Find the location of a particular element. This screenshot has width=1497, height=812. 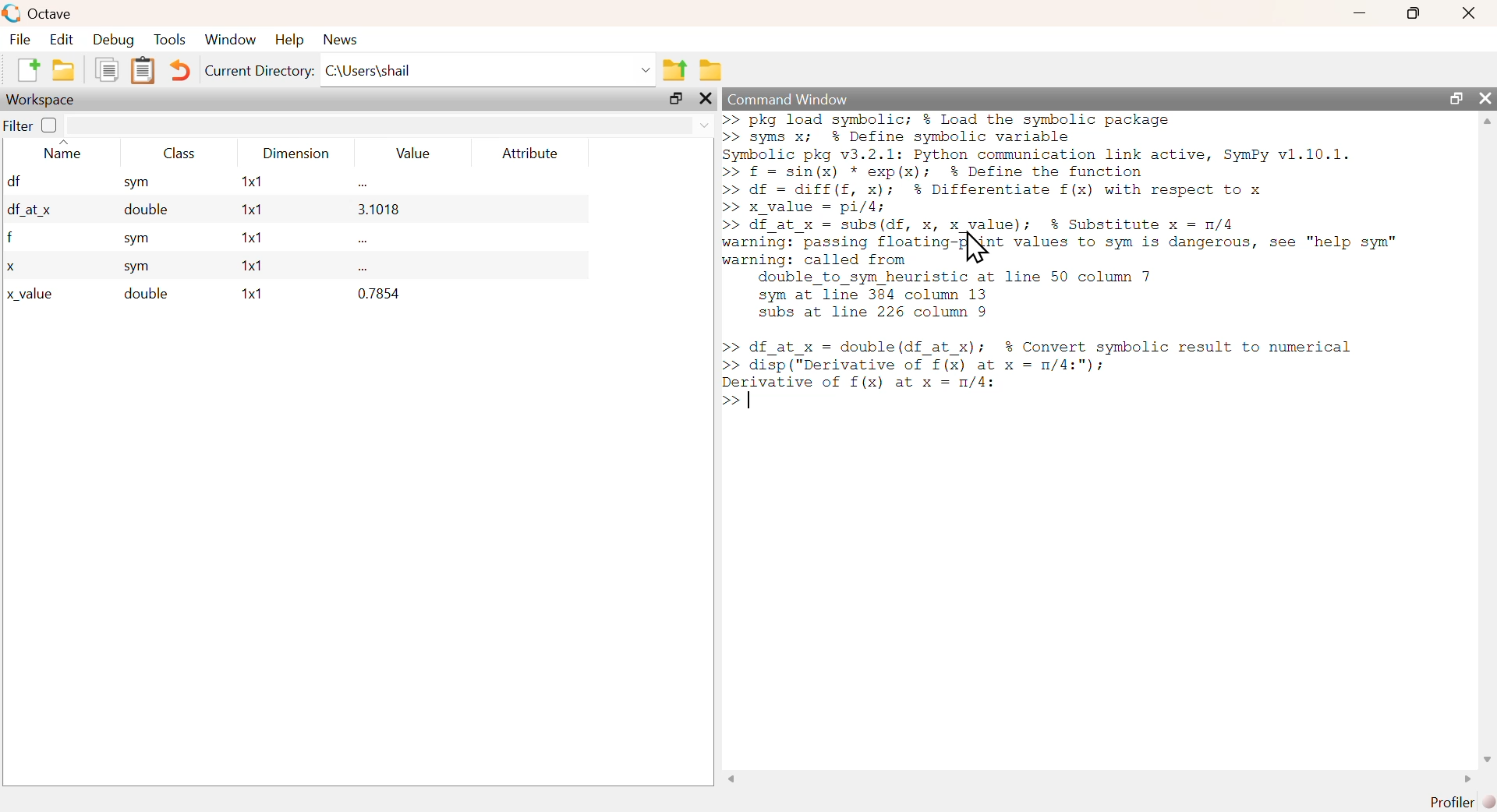

Help is located at coordinates (287, 40).